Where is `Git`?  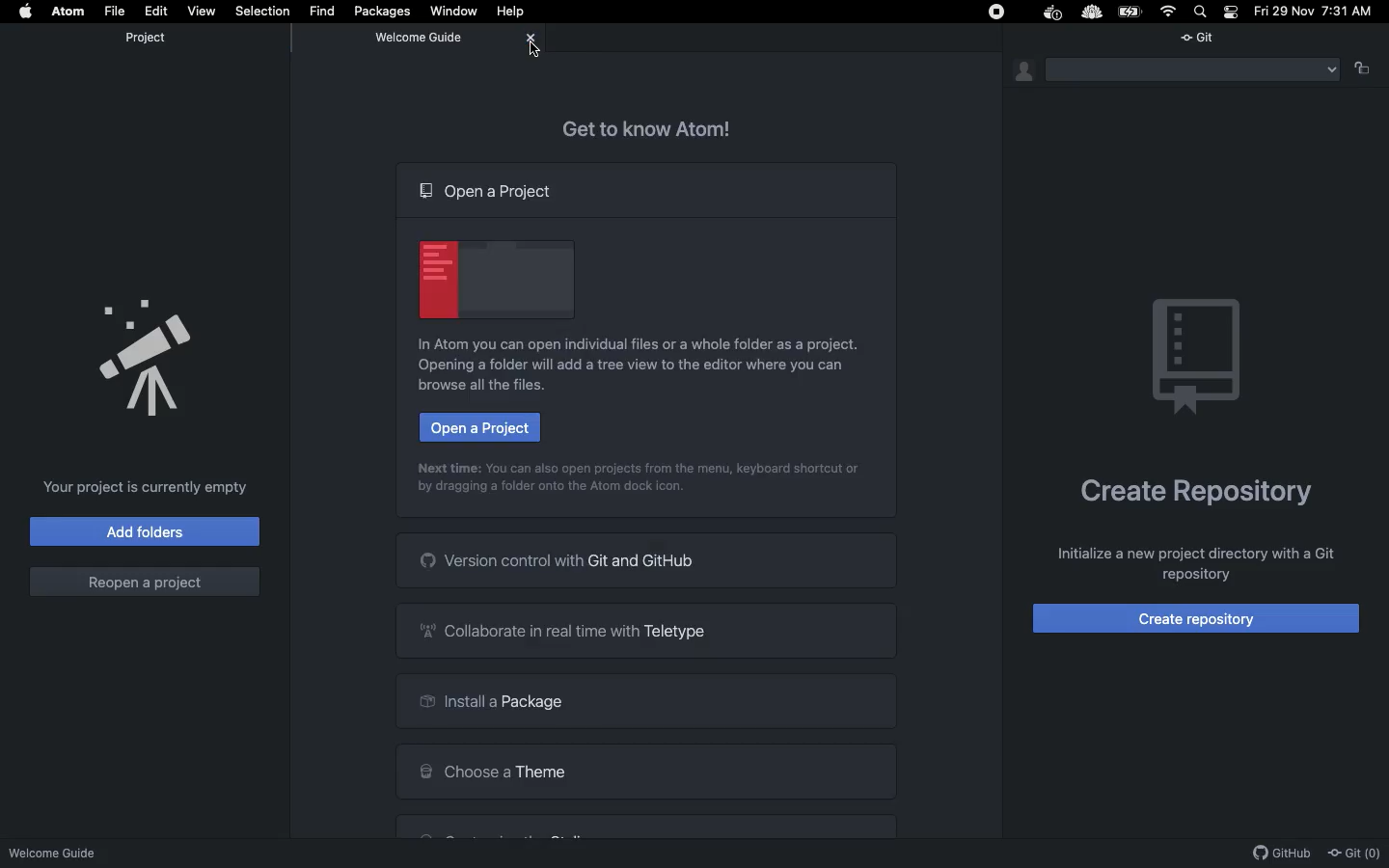 Git is located at coordinates (1205, 36).